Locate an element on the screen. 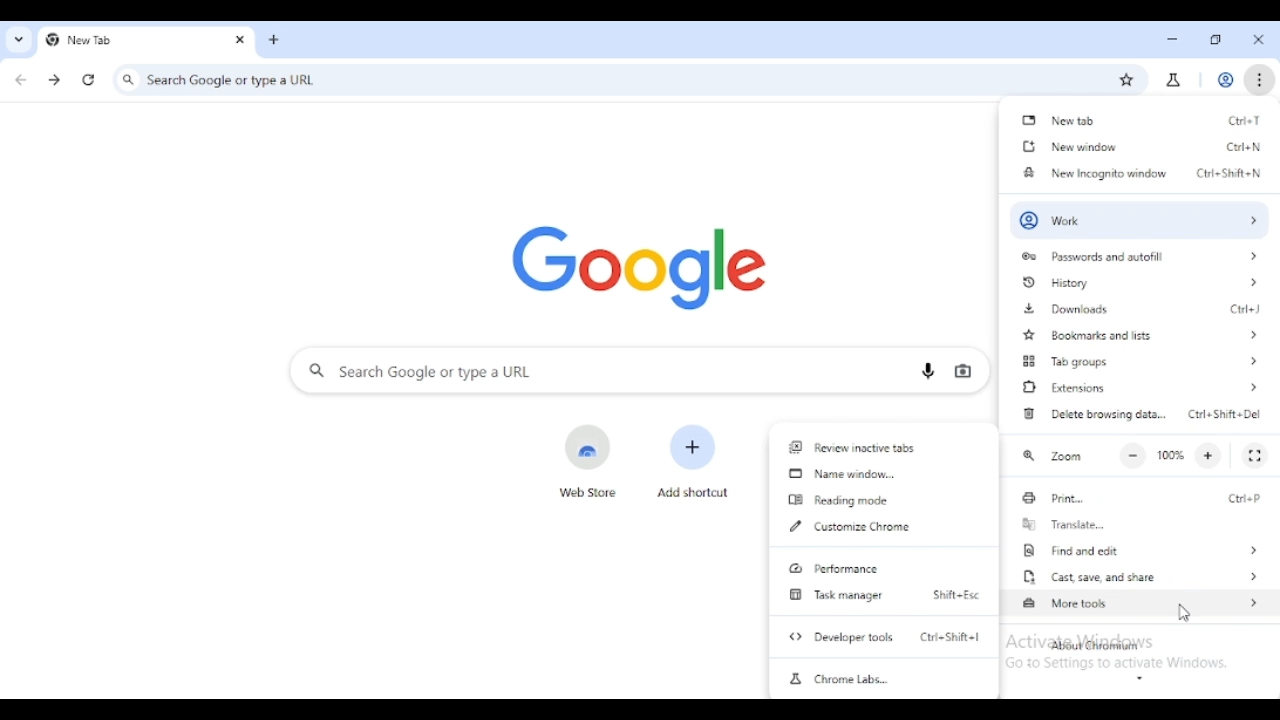 This screenshot has height=720, width=1280. 100% is located at coordinates (1169, 454).